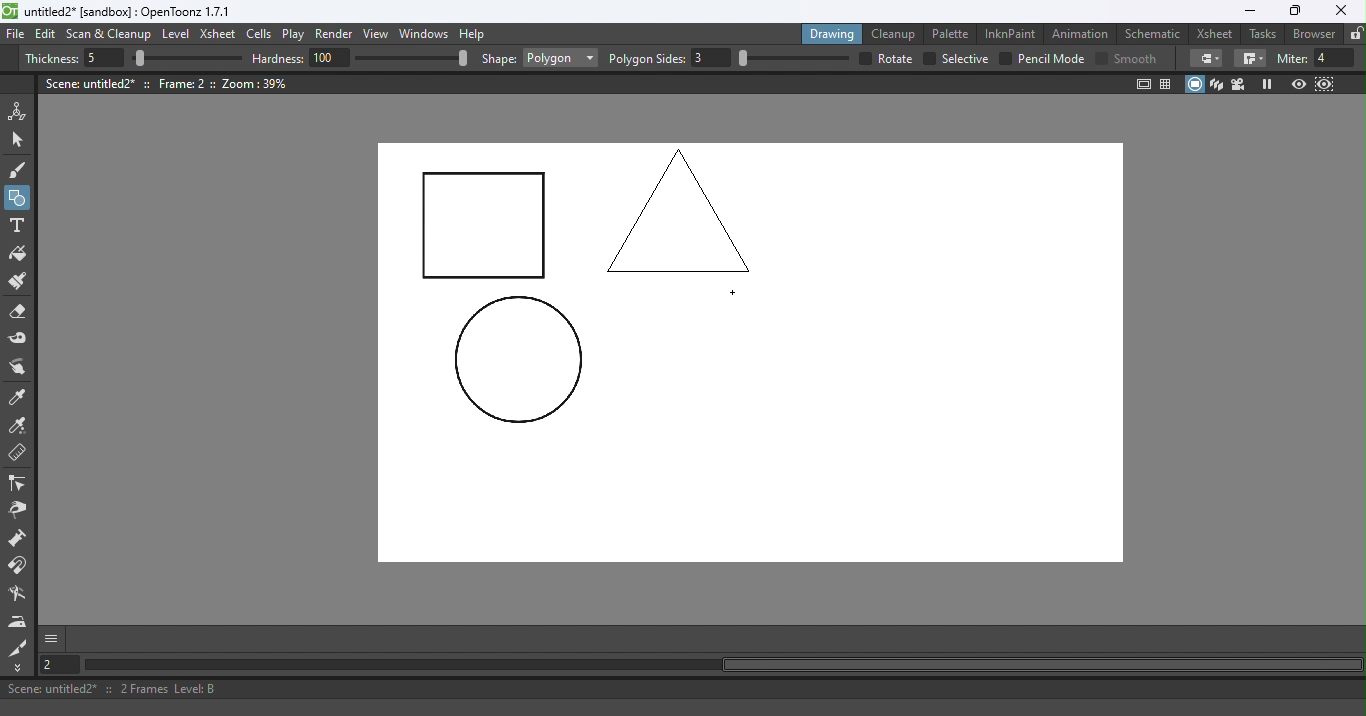 The height and width of the screenshot is (716, 1366). Describe the element at coordinates (1169, 83) in the screenshot. I see `Field guide` at that location.